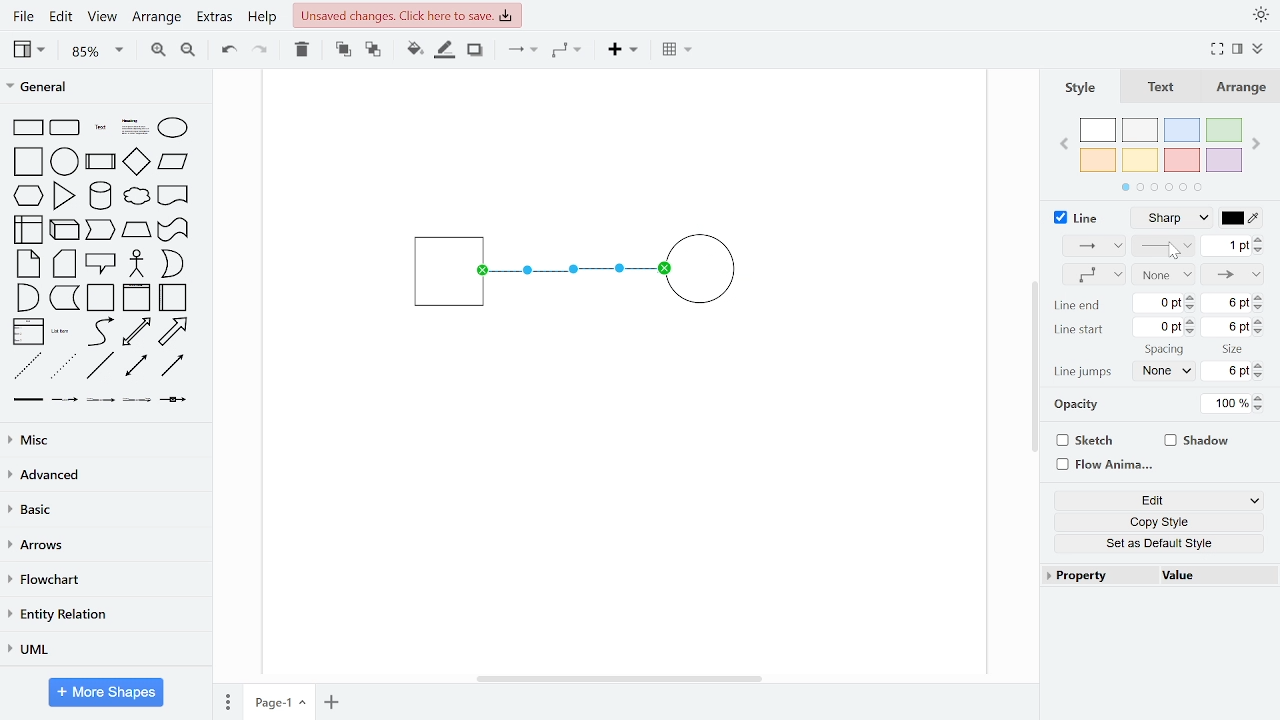  Describe the element at coordinates (136, 332) in the screenshot. I see `bidirectional arrow` at that location.